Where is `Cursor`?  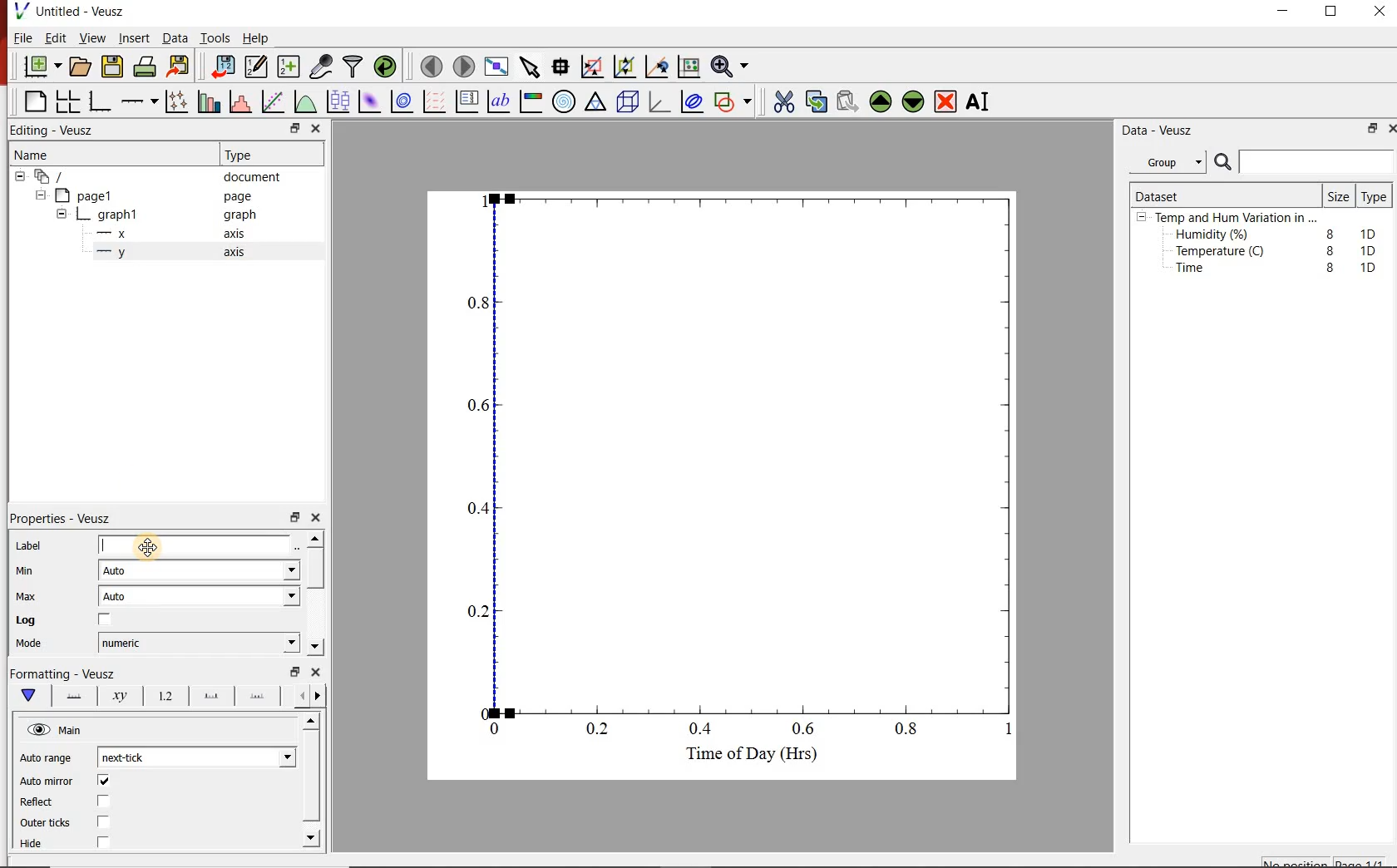 Cursor is located at coordinates (159, 545).